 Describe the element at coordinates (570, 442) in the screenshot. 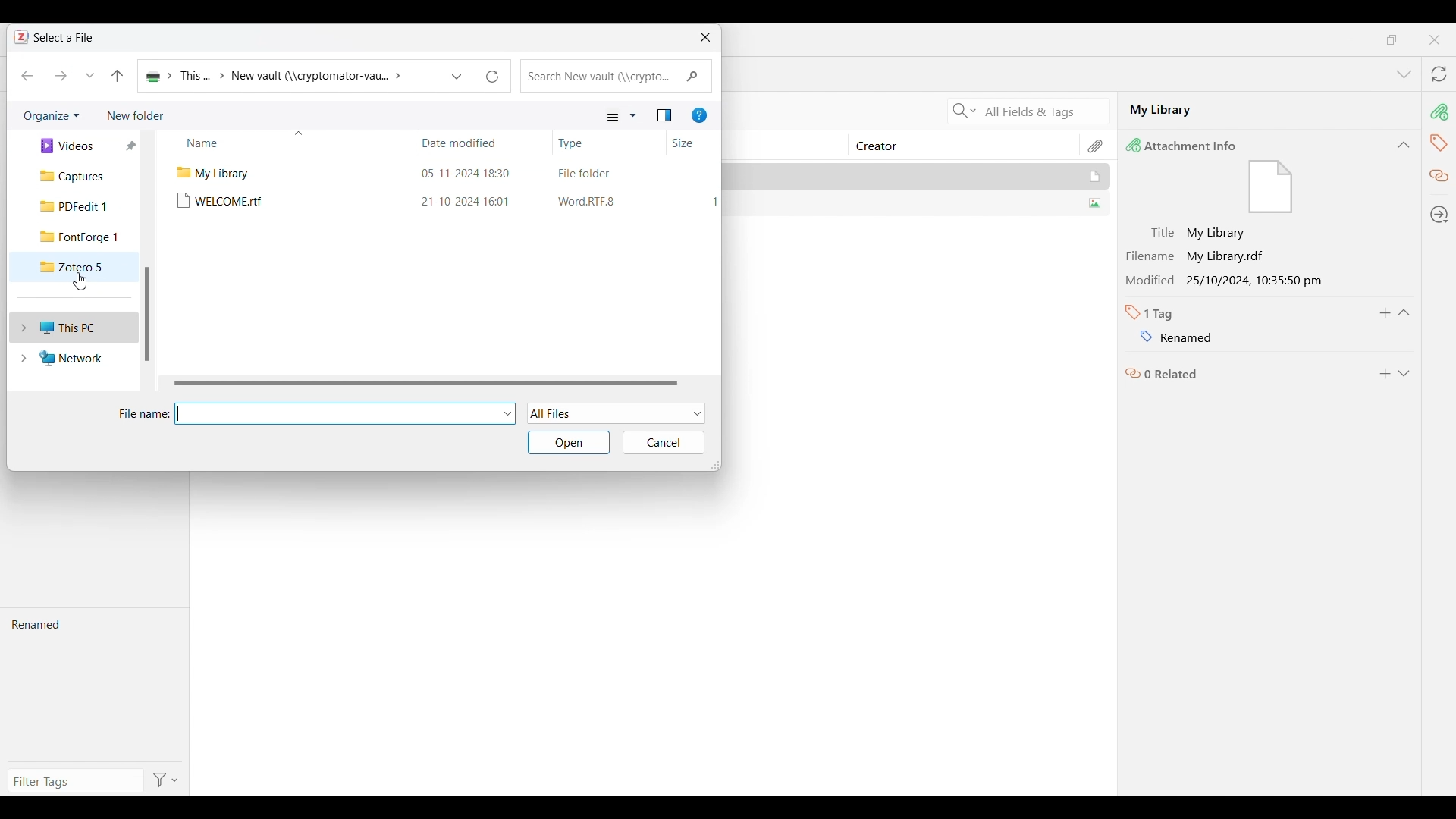

I see `Open selected folder/file` at that location.